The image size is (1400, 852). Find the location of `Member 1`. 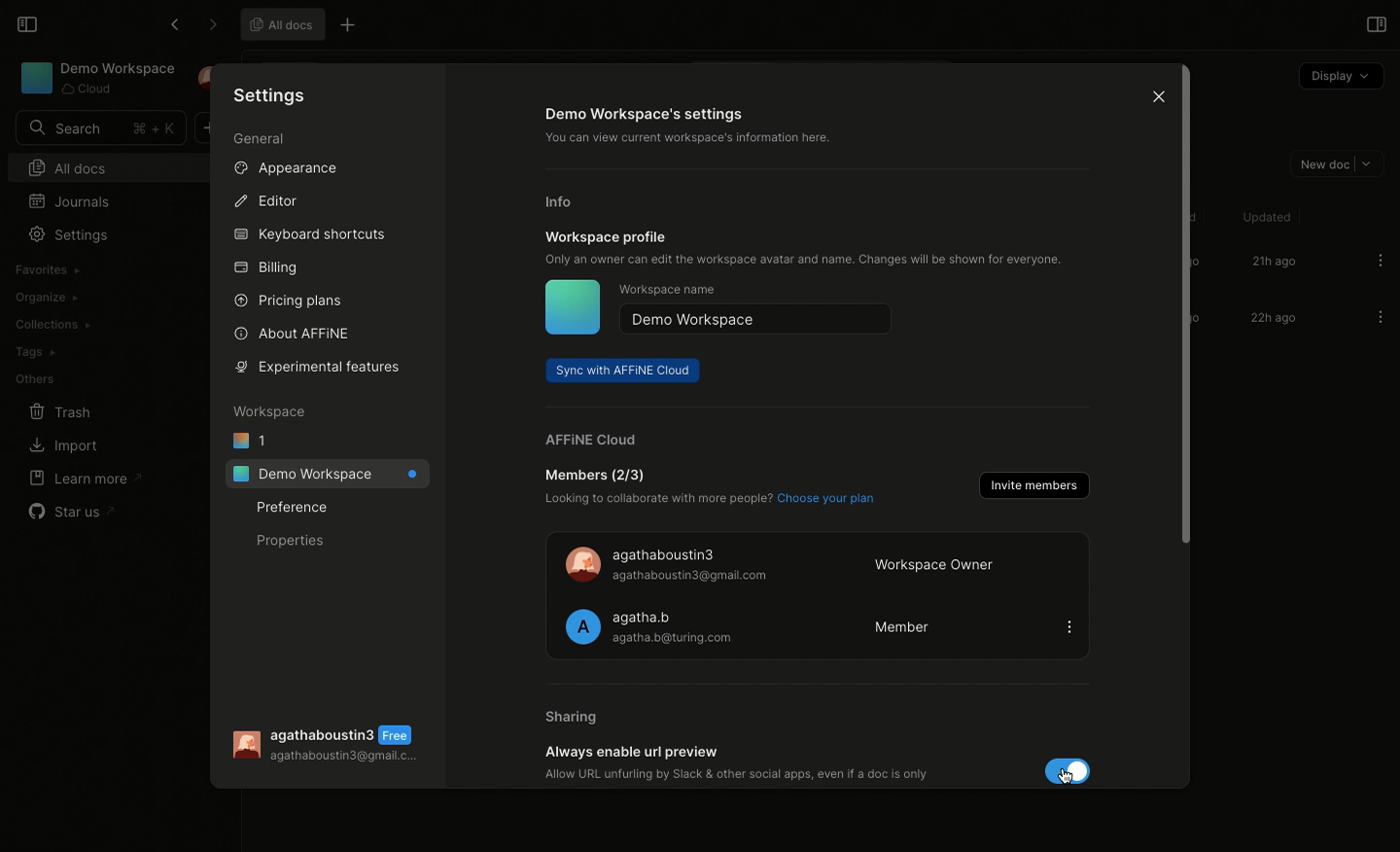

Member 1 is located at coordinates (818, 563).